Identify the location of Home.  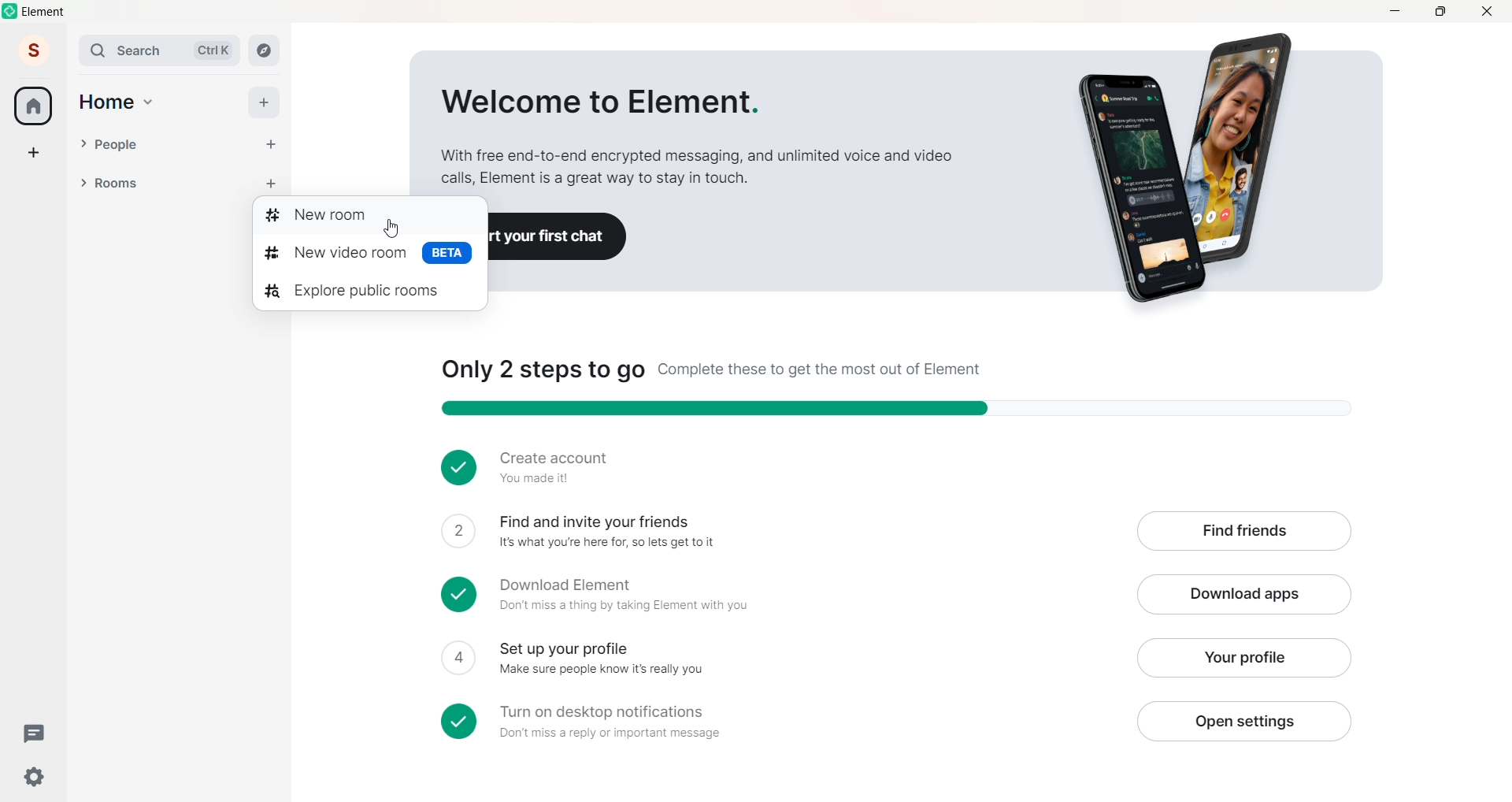
(106, 102).